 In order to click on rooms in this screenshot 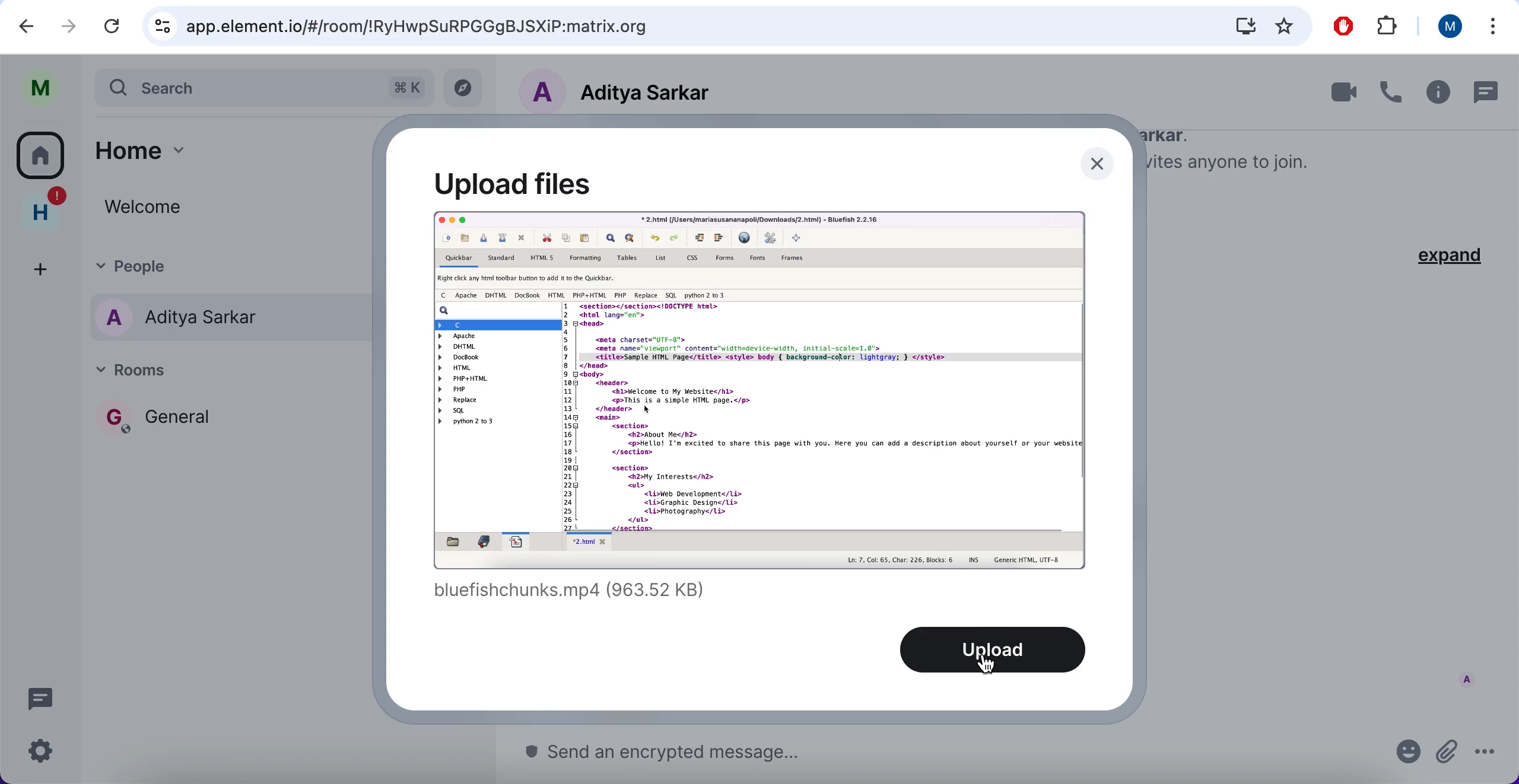, I will do `click(231, 435)`.